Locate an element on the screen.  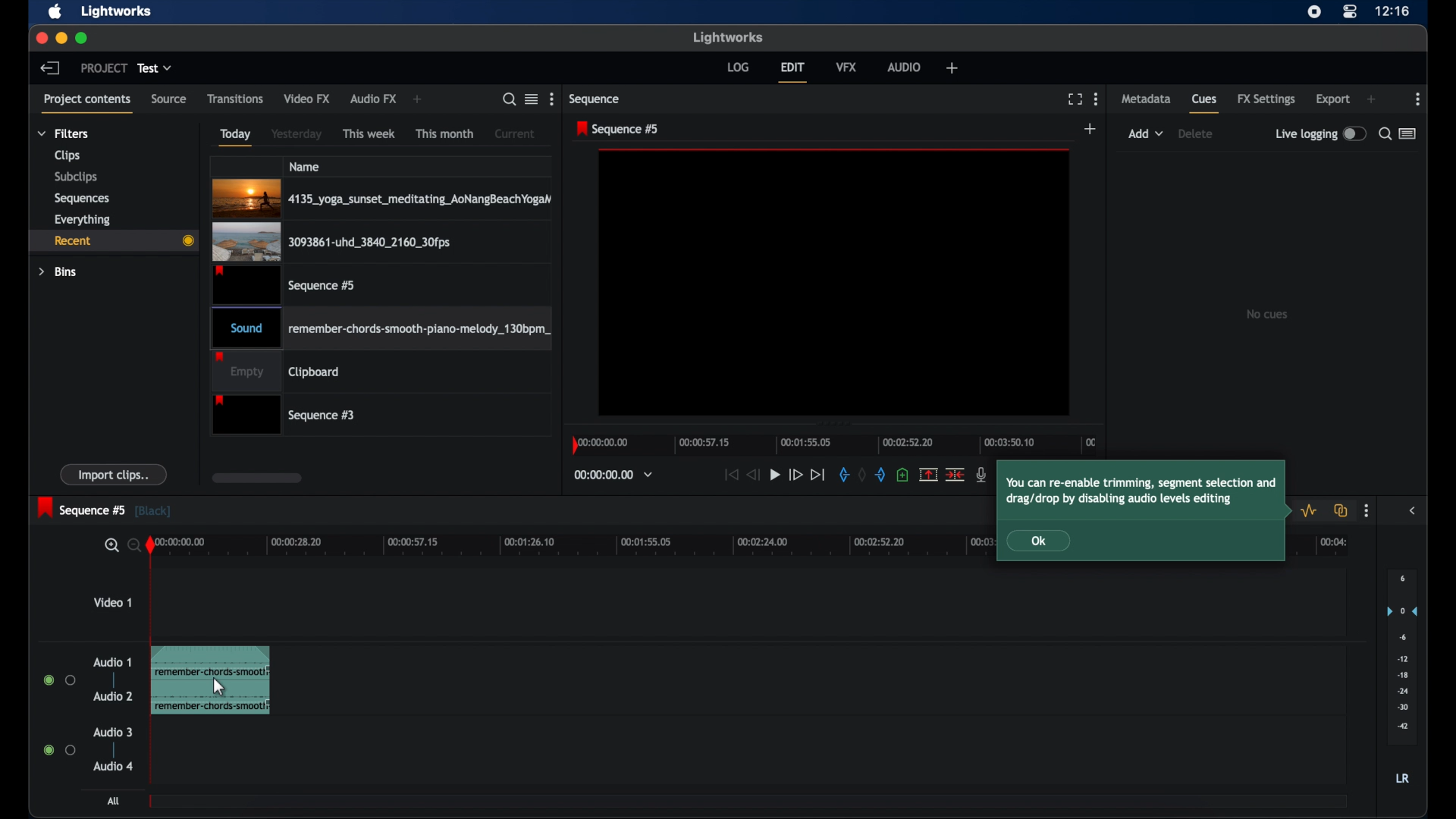
rewind is located at coordinates (752, 473).